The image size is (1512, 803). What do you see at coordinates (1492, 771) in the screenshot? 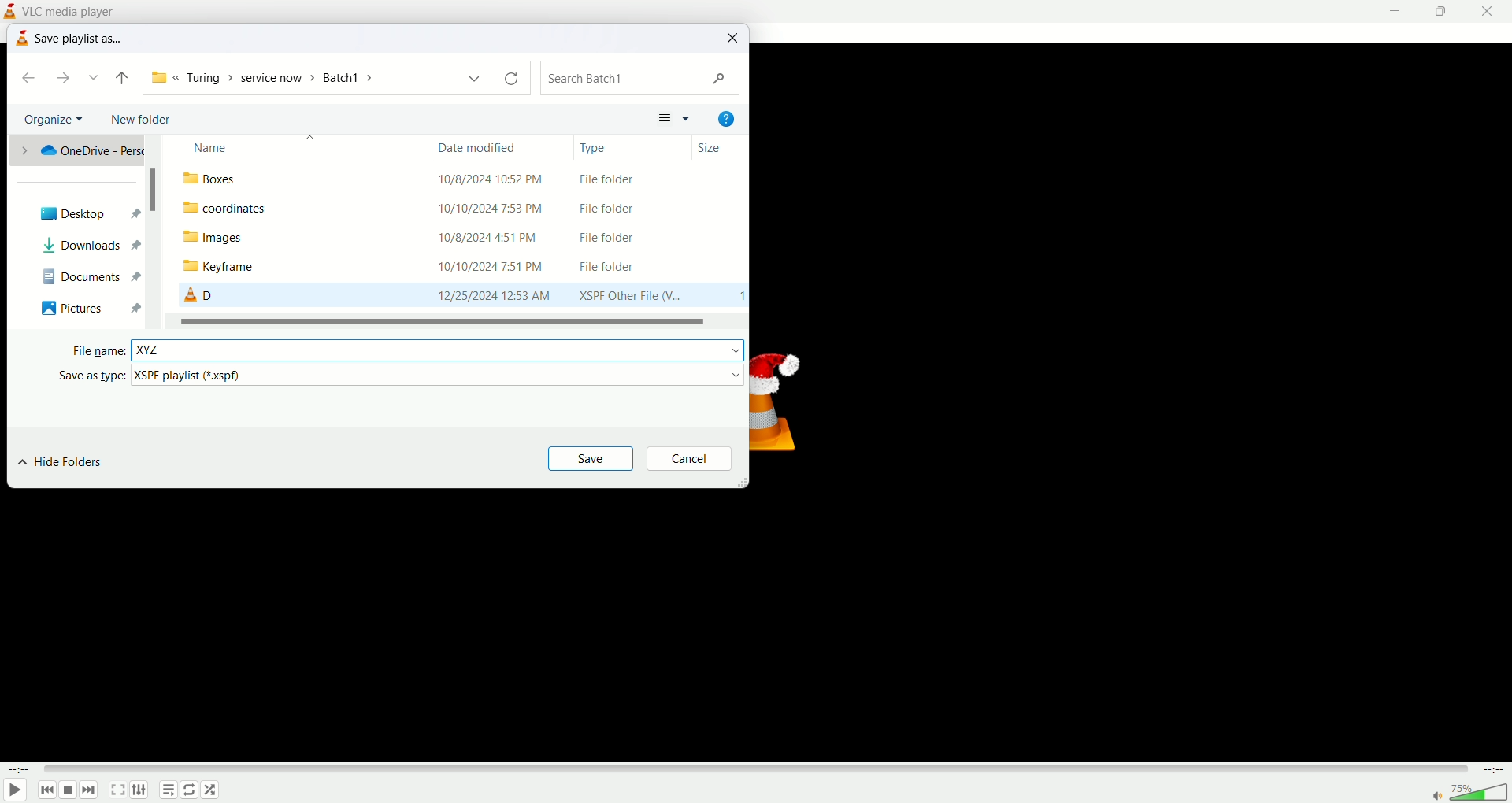
I see `remaining time` at bounding box center [1492, 771].